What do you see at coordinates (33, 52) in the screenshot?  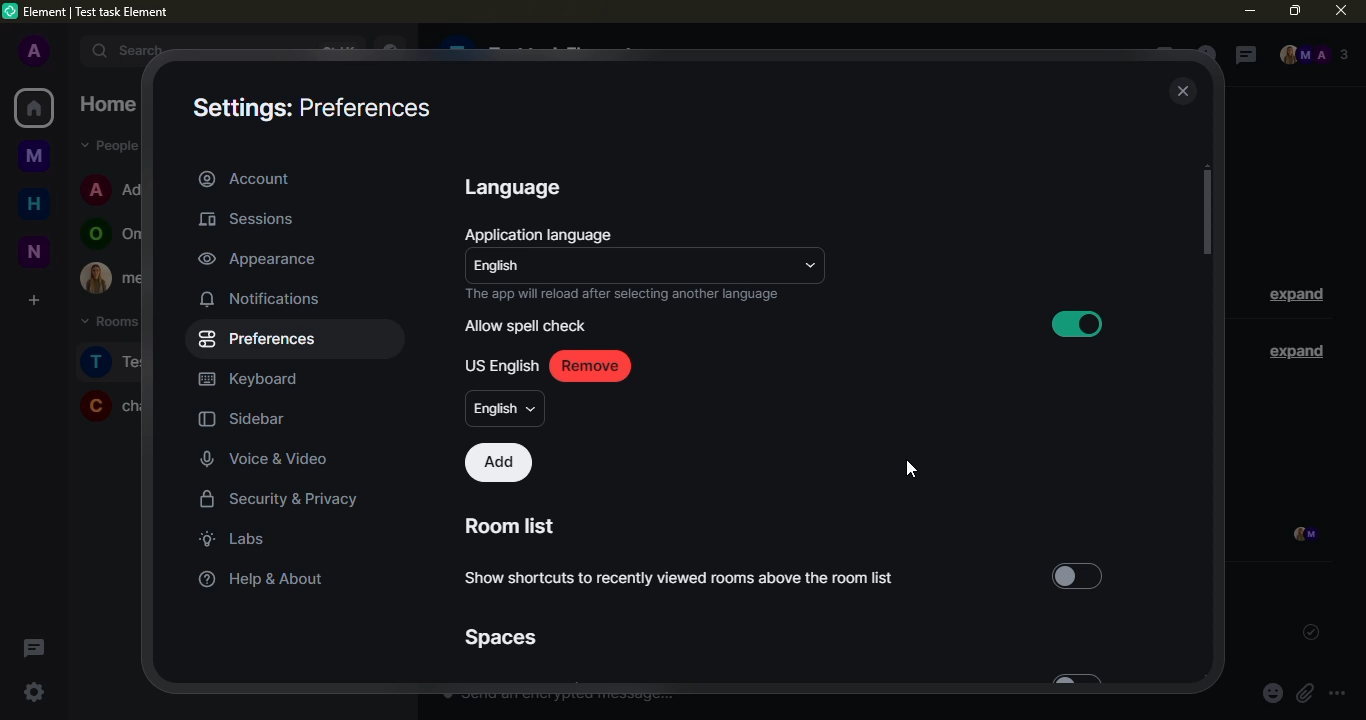 I see `profile` at bounding box center [33, 52].